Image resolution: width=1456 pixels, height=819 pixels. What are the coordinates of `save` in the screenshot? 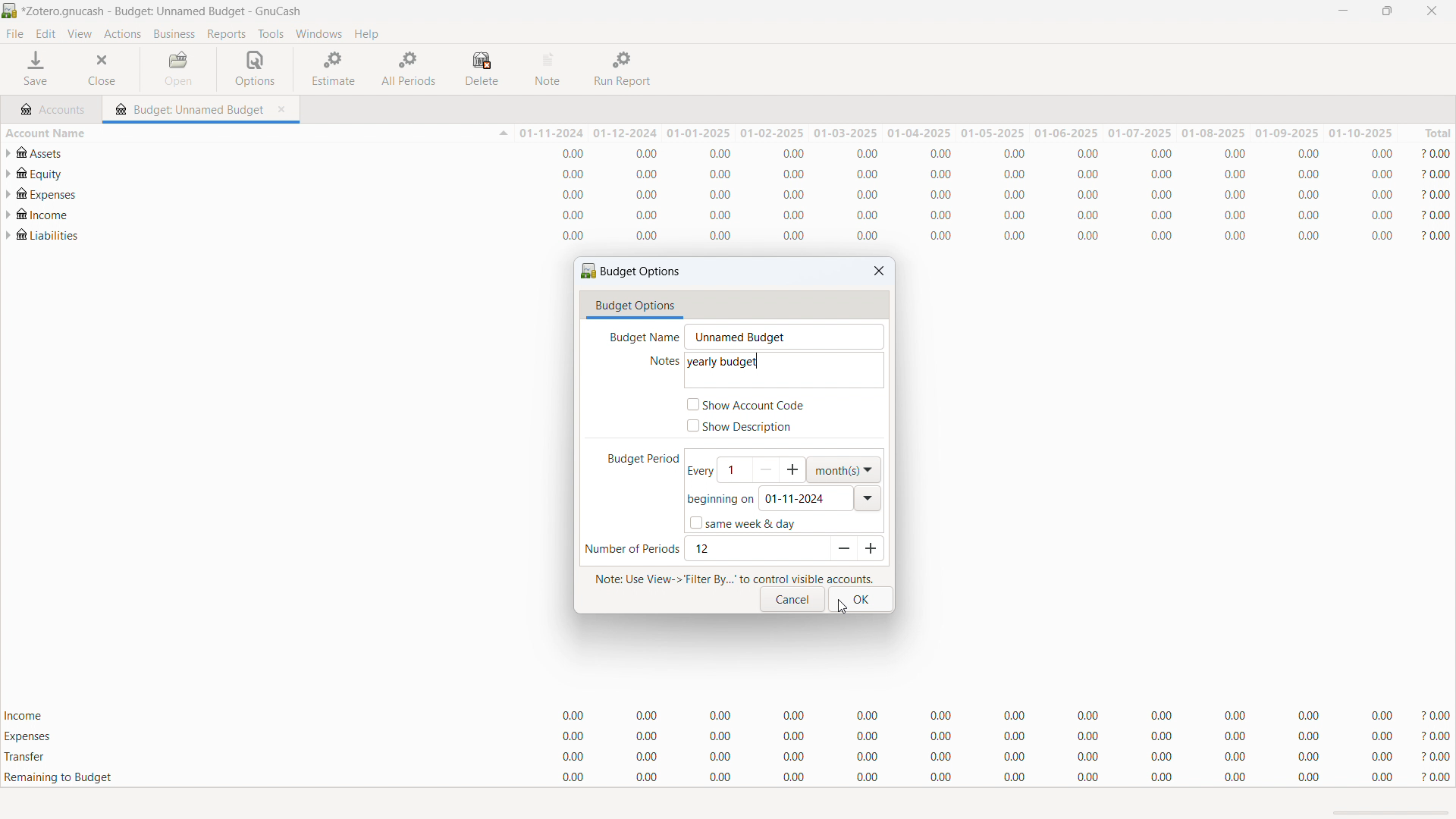 It's located at (37, 69).